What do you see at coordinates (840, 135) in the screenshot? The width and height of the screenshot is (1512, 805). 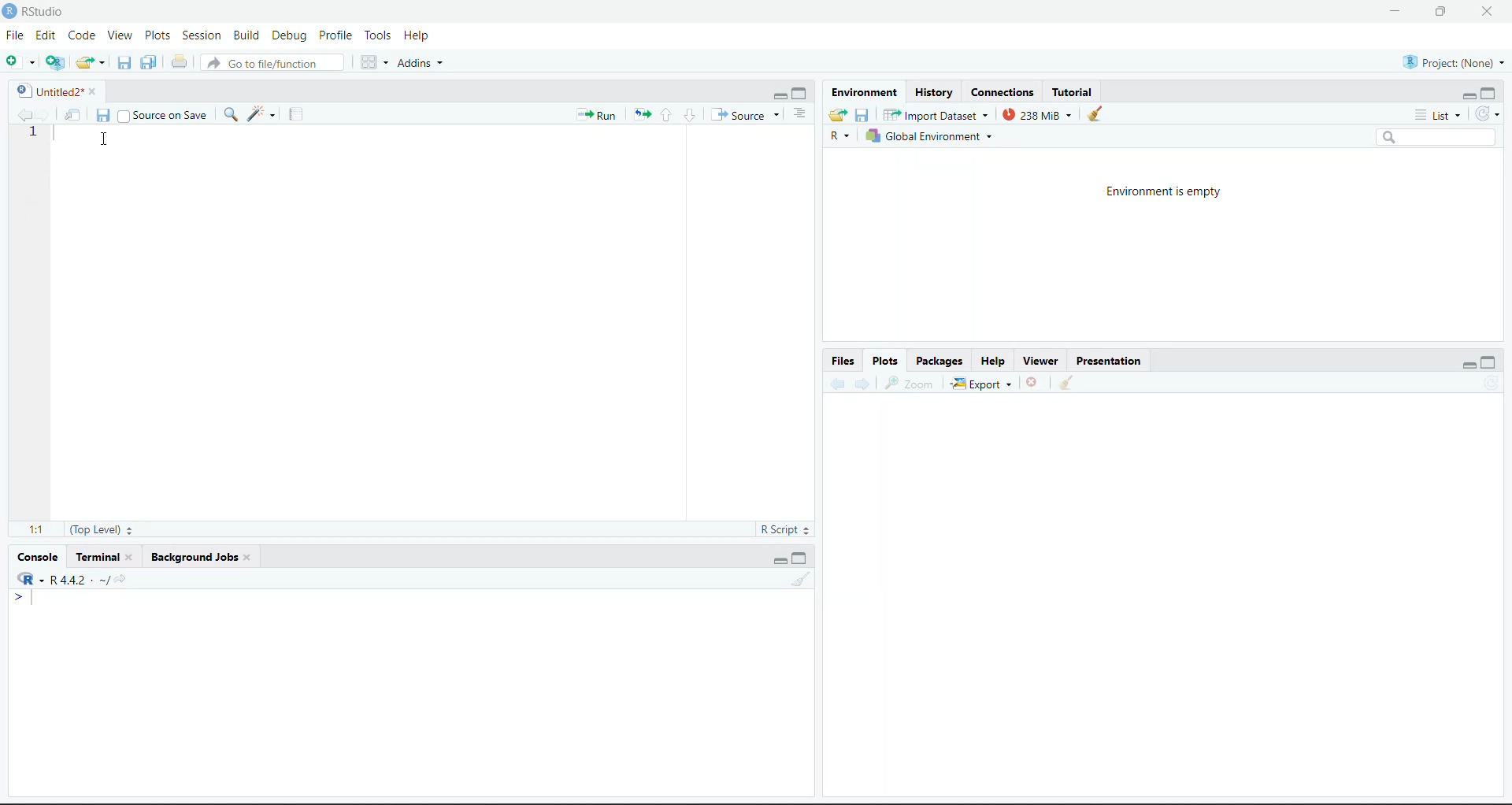 I see `R` at bounding box center [840, 135].